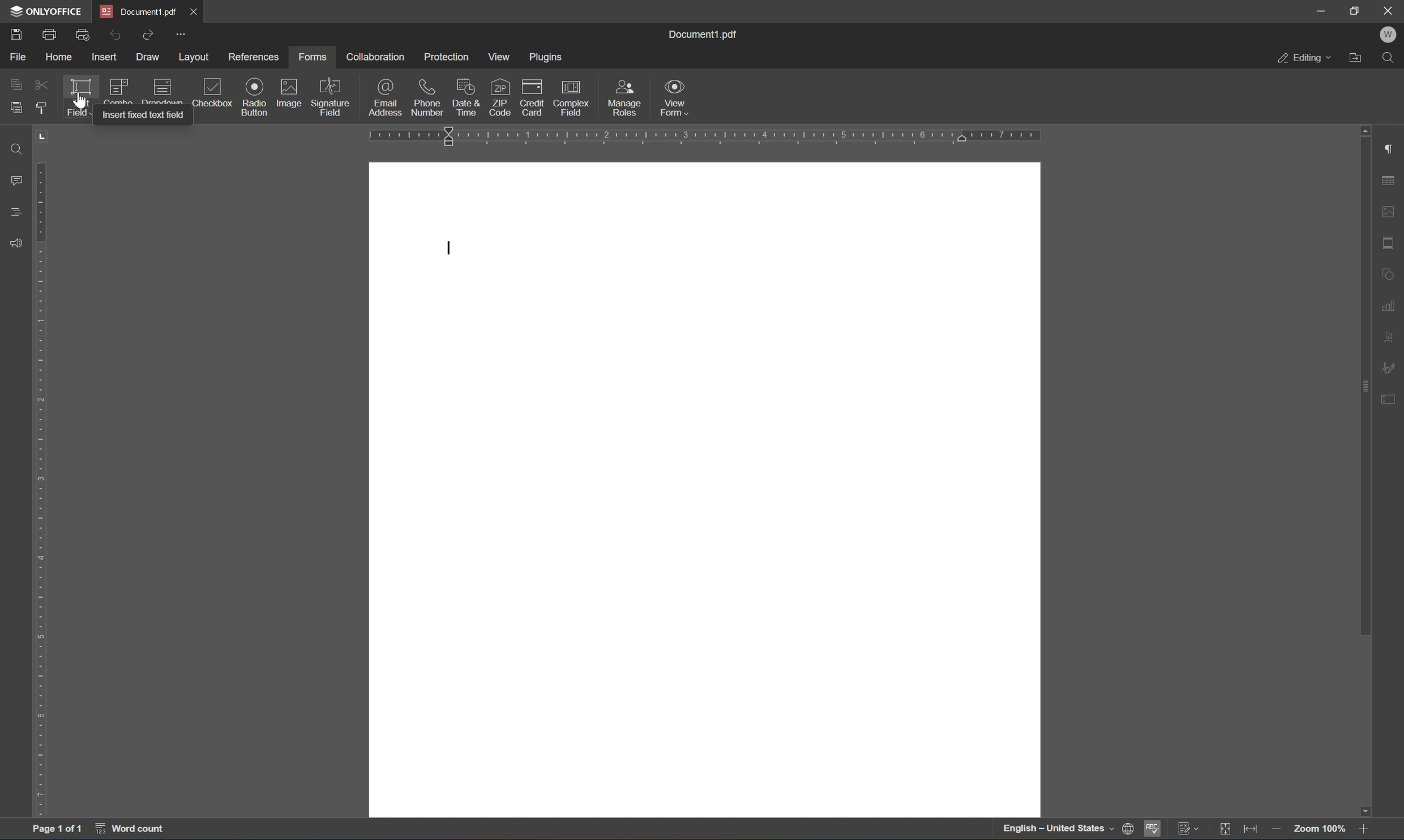  Describe the element at coordinates (386, 97) in the screenshot. I see `email address` at that location.